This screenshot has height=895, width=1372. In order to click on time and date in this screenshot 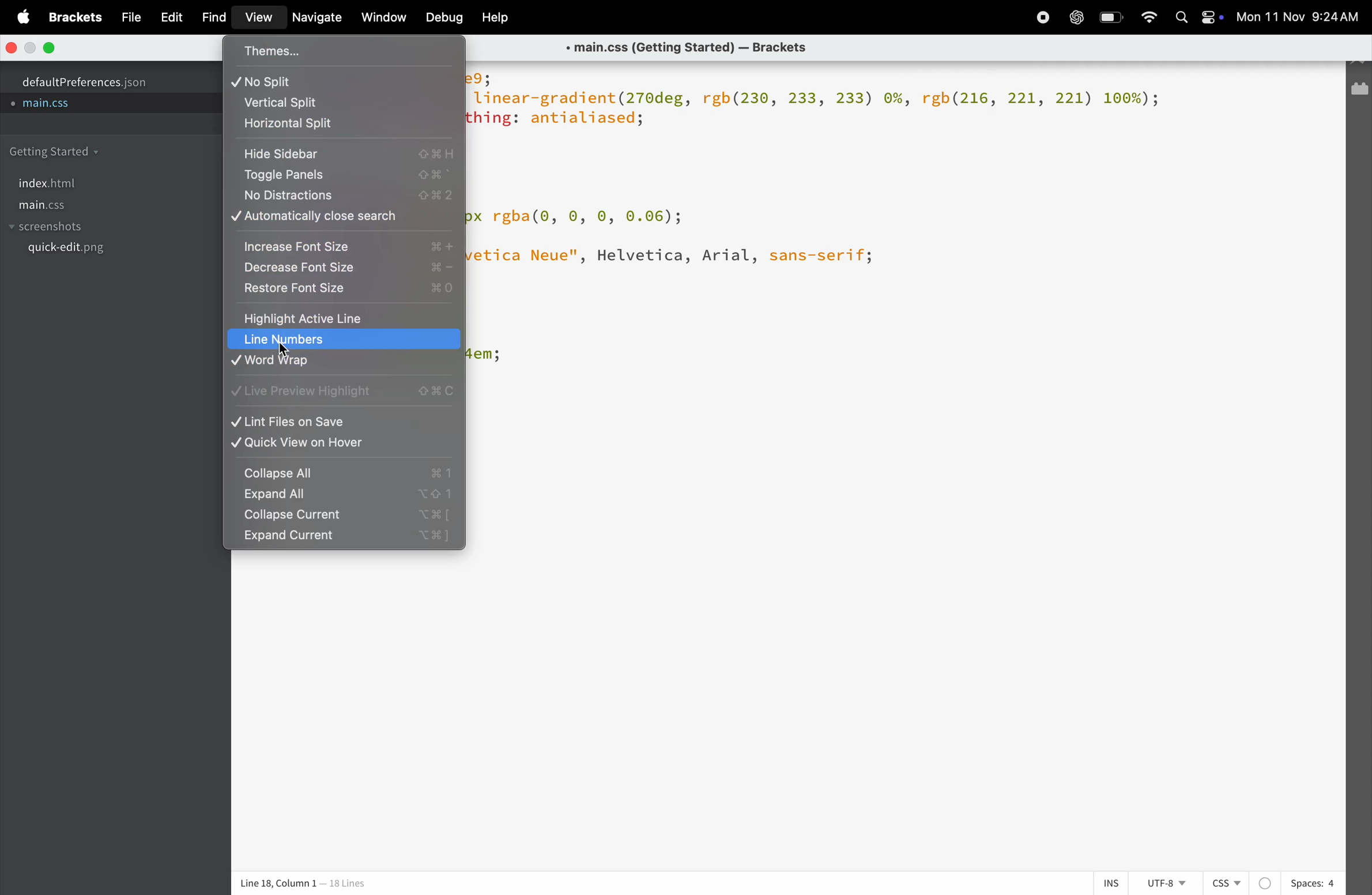, I will do `click(1301, 18)`.